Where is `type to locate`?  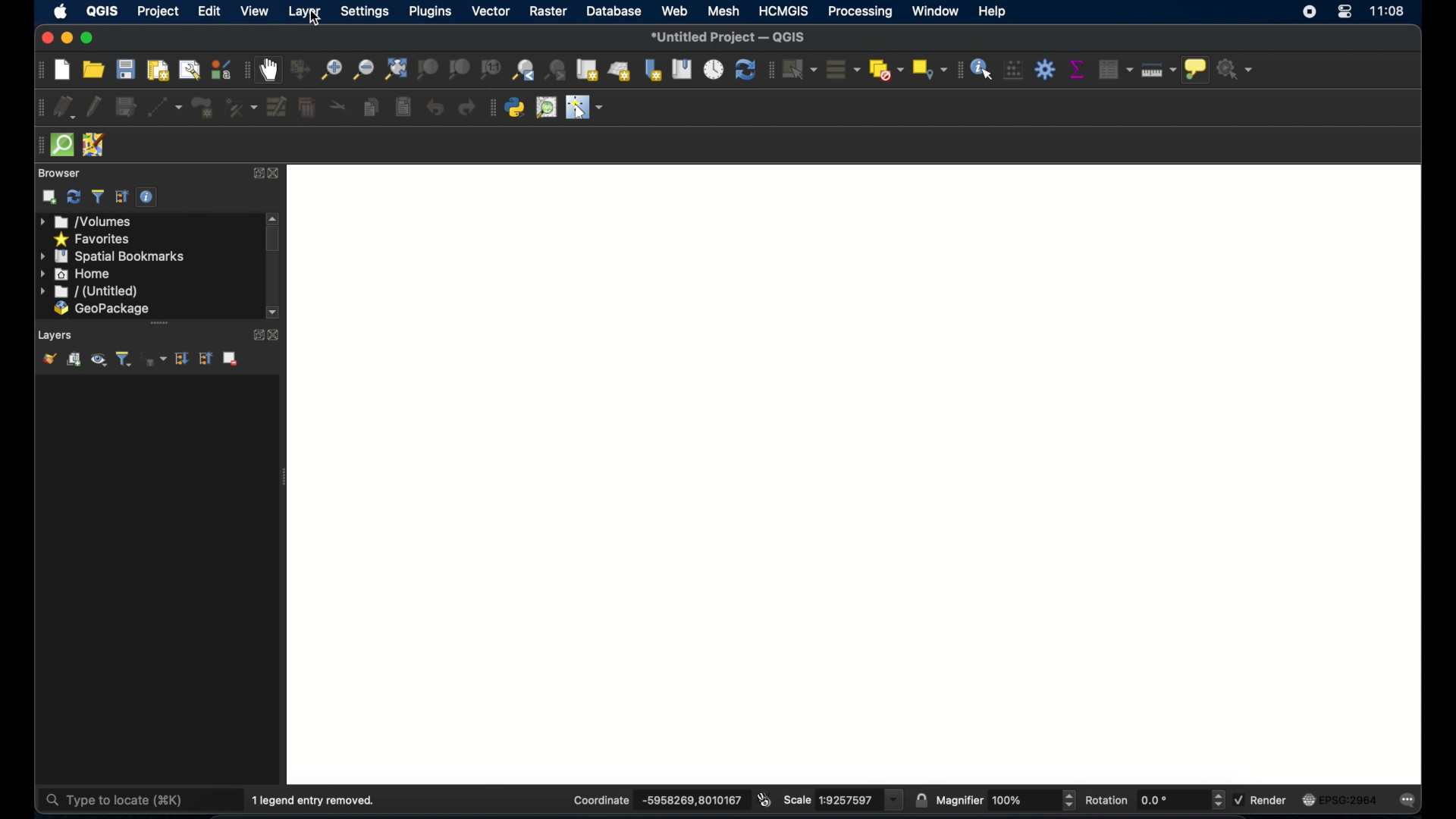
type to locate is located at coordinates (118, 799).